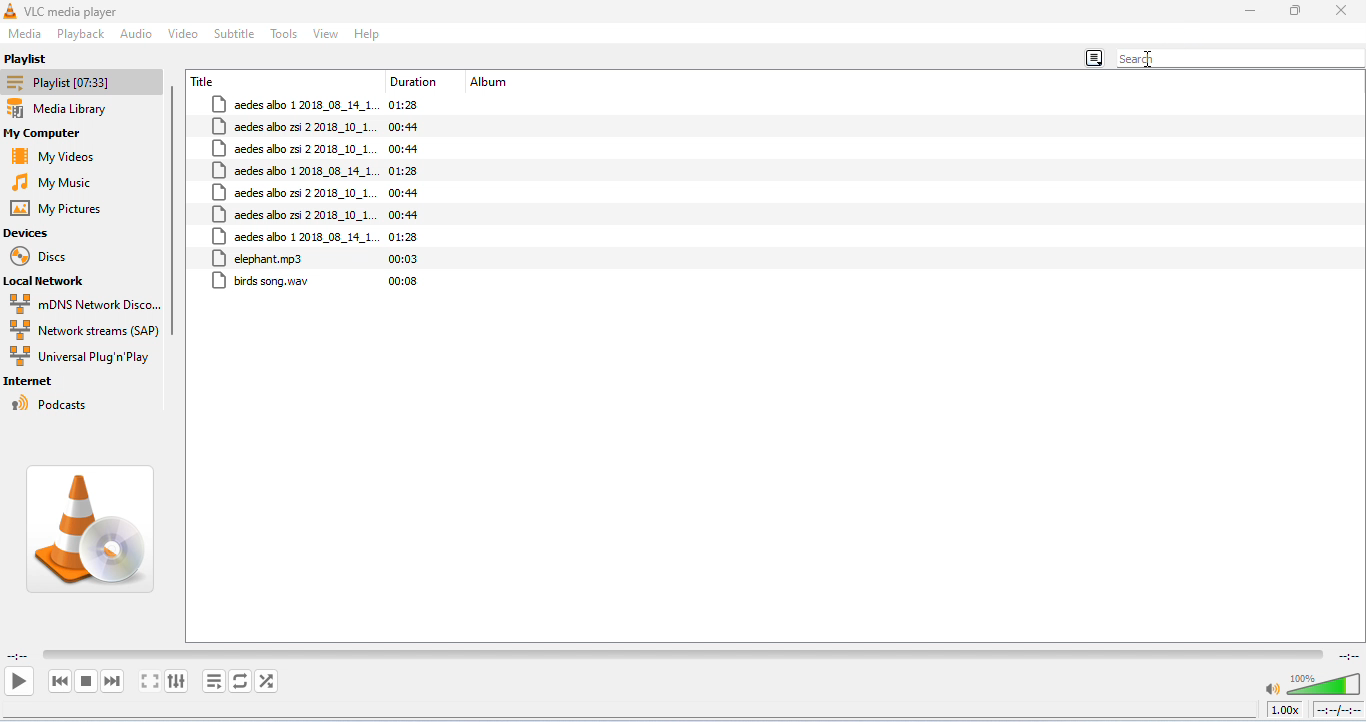 The height and width of the screenshot is (722, 1366). Describe the element at coordinates (74, 11) in the screenshot. I see `VLC media player` at that location.